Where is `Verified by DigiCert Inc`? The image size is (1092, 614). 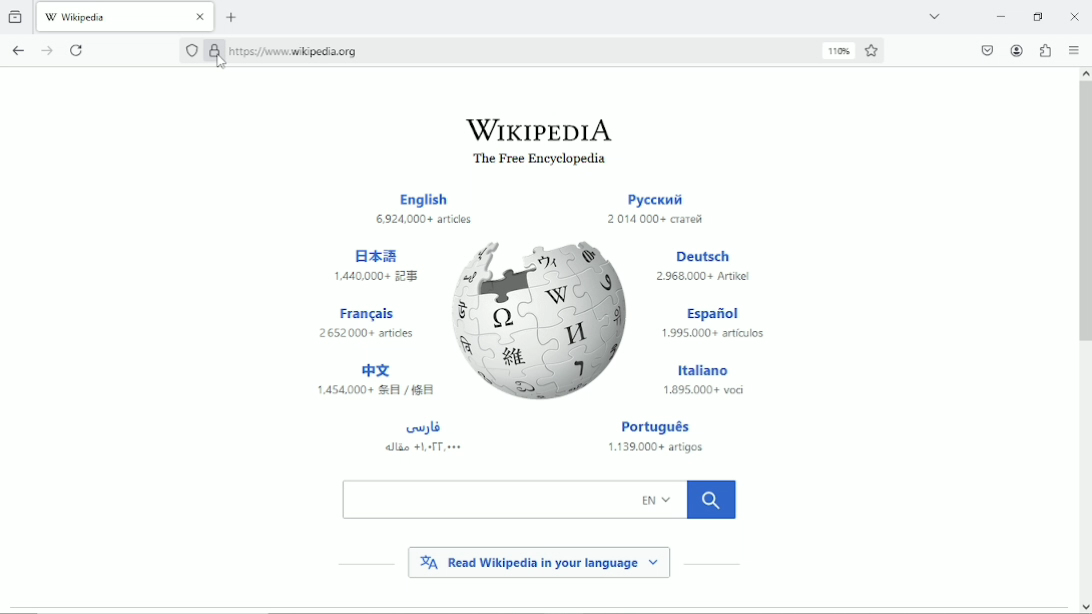 Verified by DigiCert Inc is located at coordinates (214, 53).